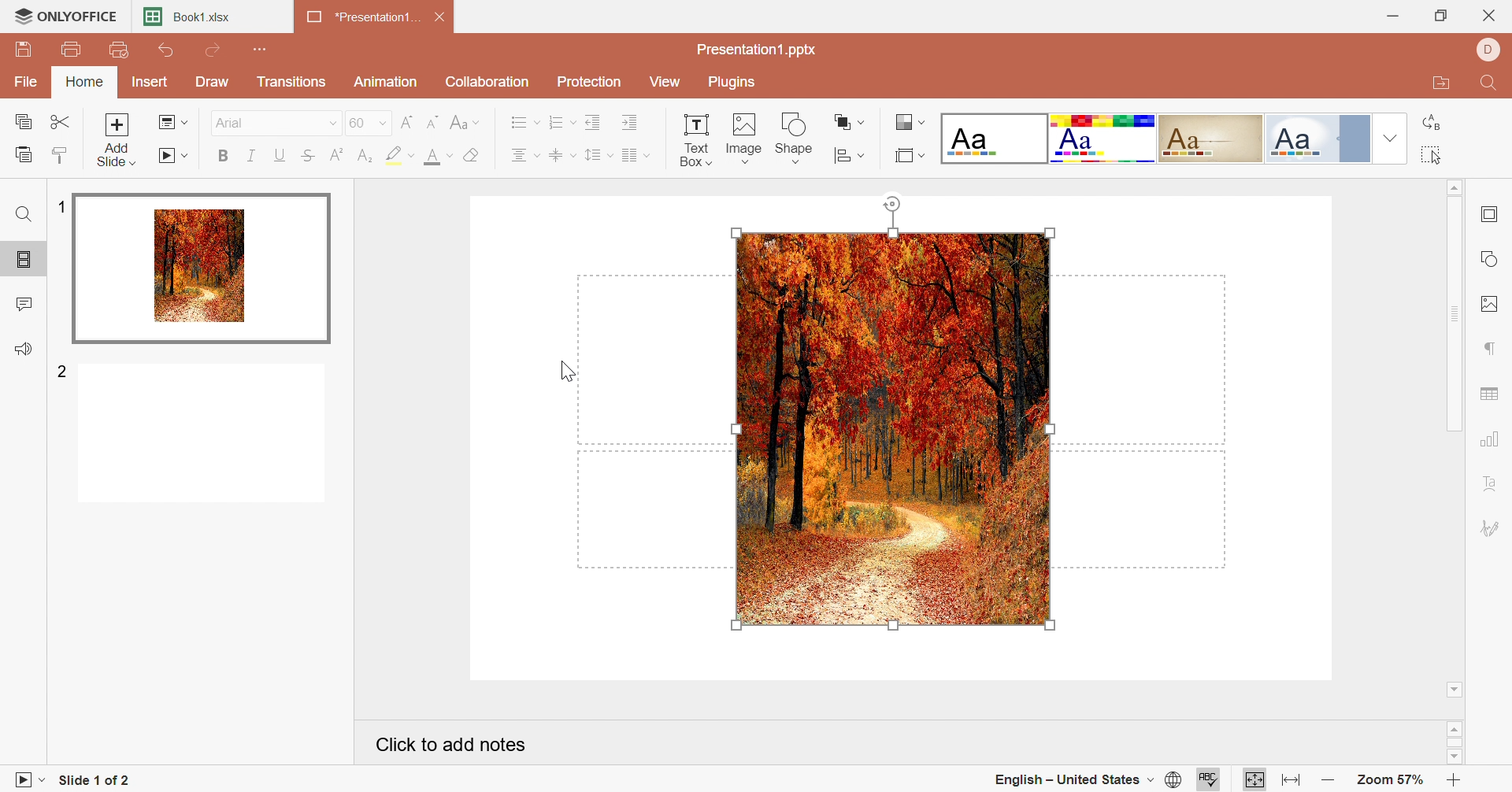 This screenshot has width=1512, height=792. What do you see at coordinates (1488, 51) in the screenshot?
I see `Dell` at bounding box center [1488, 51].